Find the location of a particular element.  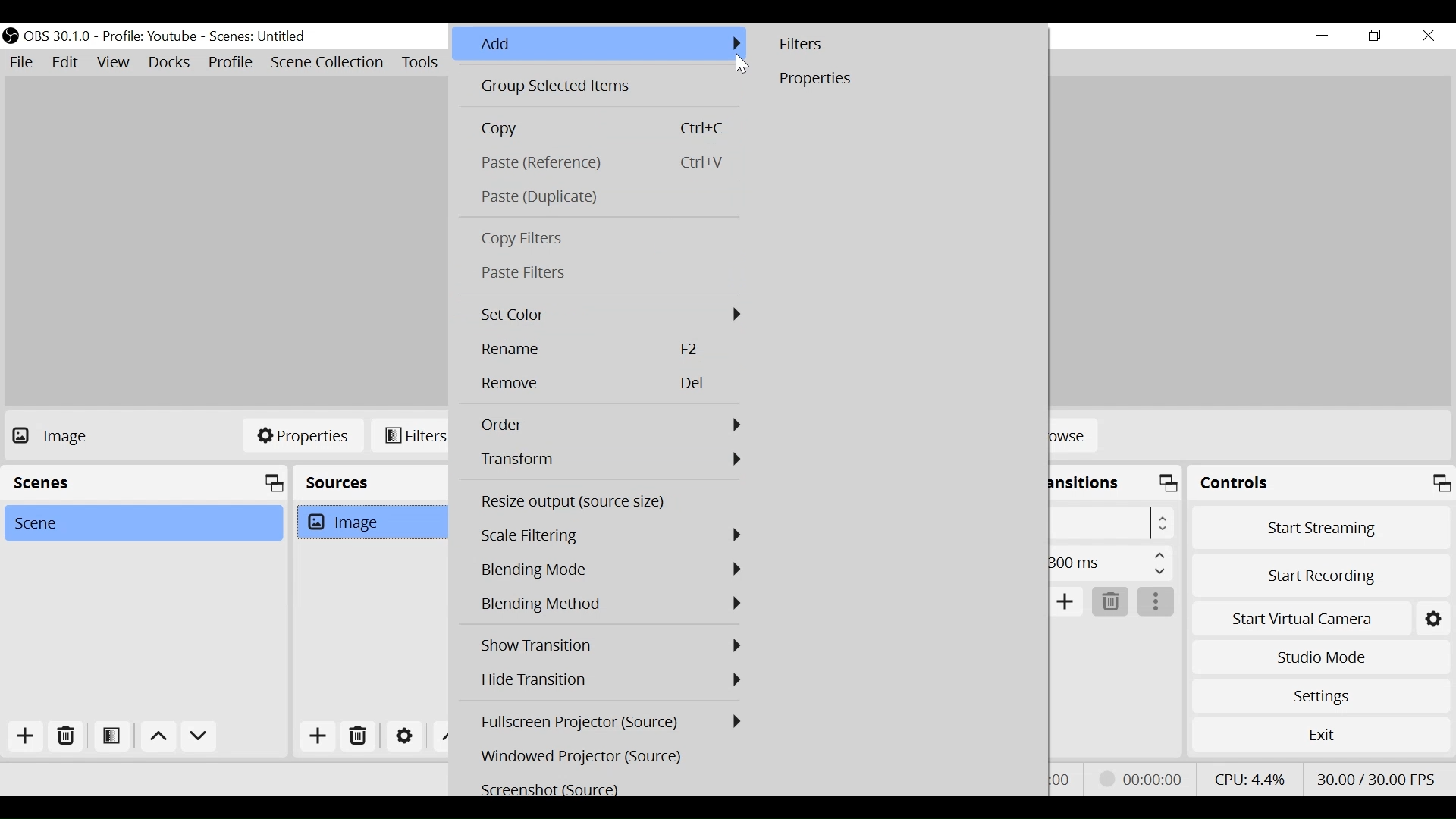

Filters is located at coordinates (416, 432).